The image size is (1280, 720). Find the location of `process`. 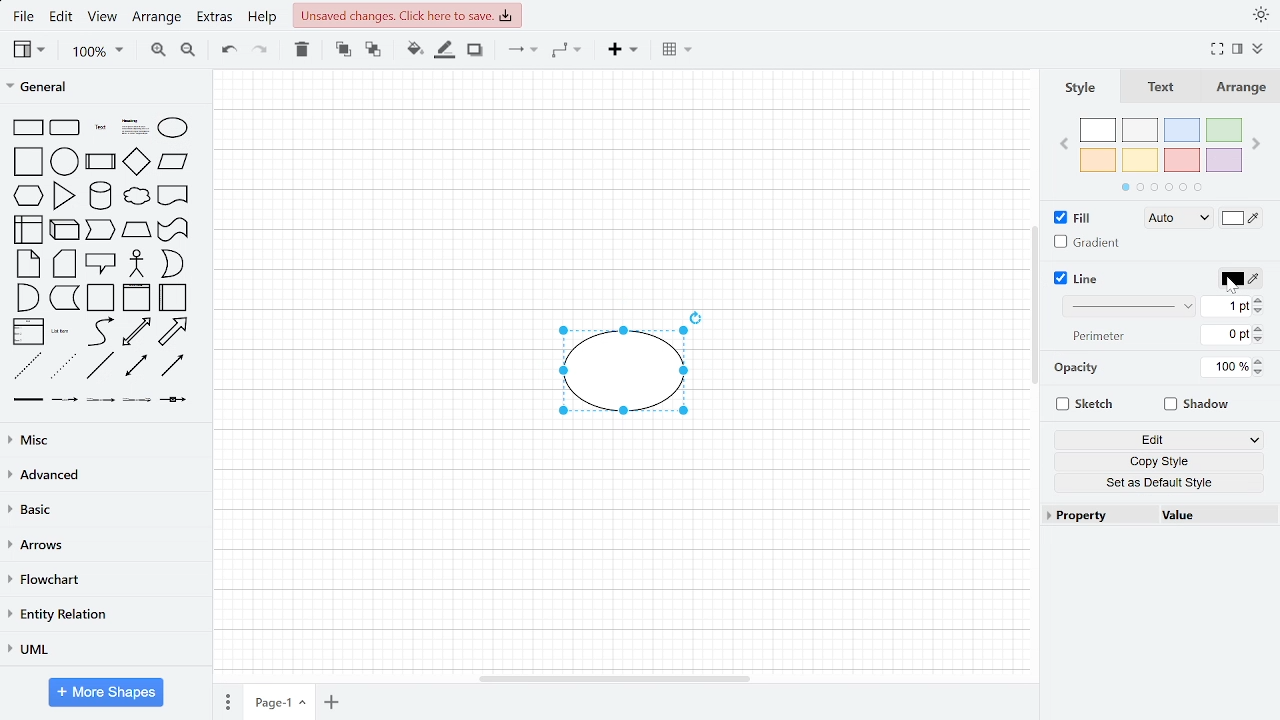

process is located at coordinates (100, 161).